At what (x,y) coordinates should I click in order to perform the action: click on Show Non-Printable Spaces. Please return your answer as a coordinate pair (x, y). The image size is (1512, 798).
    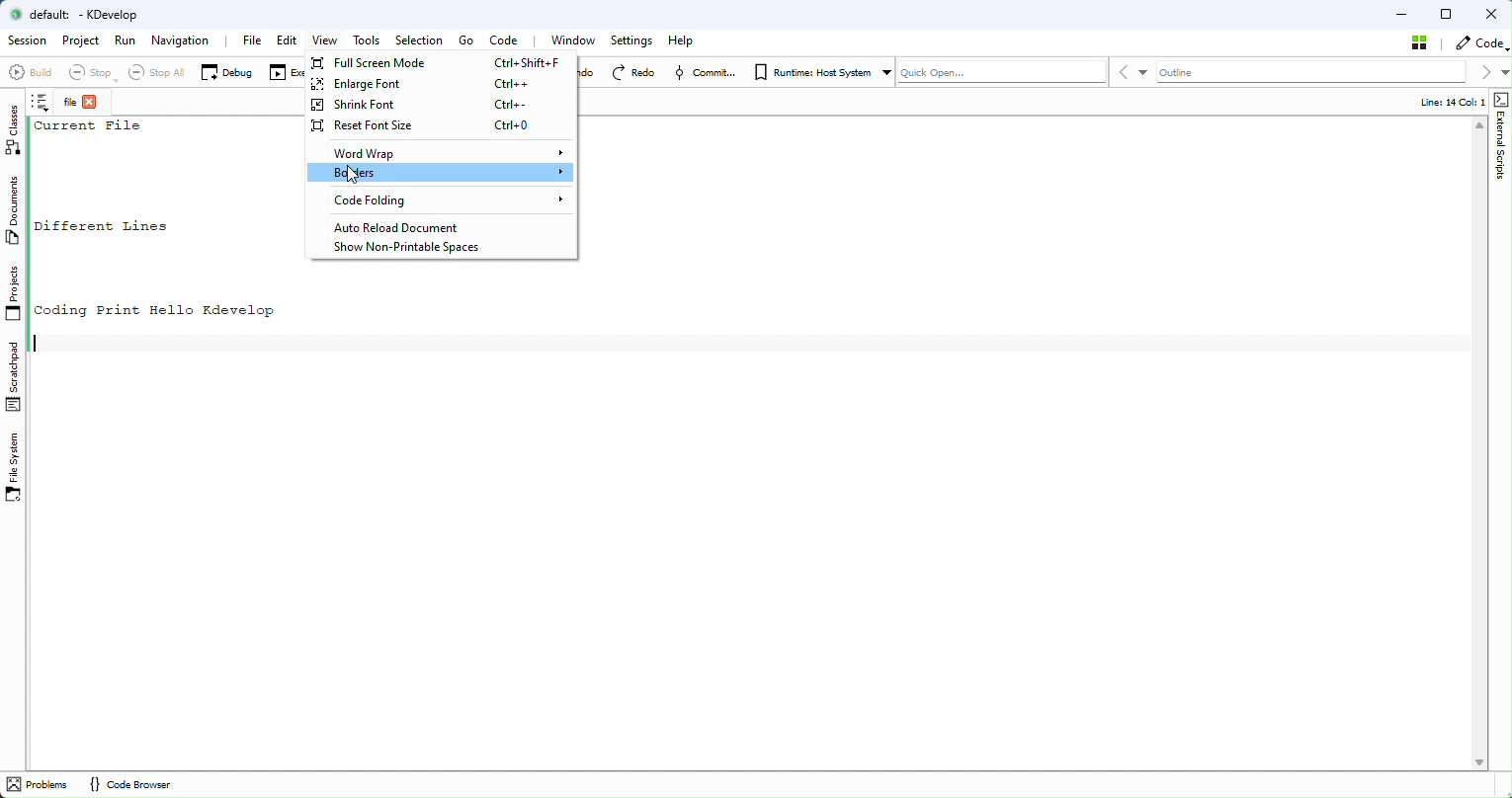
    Looking at the image, I should click on (413, 248).